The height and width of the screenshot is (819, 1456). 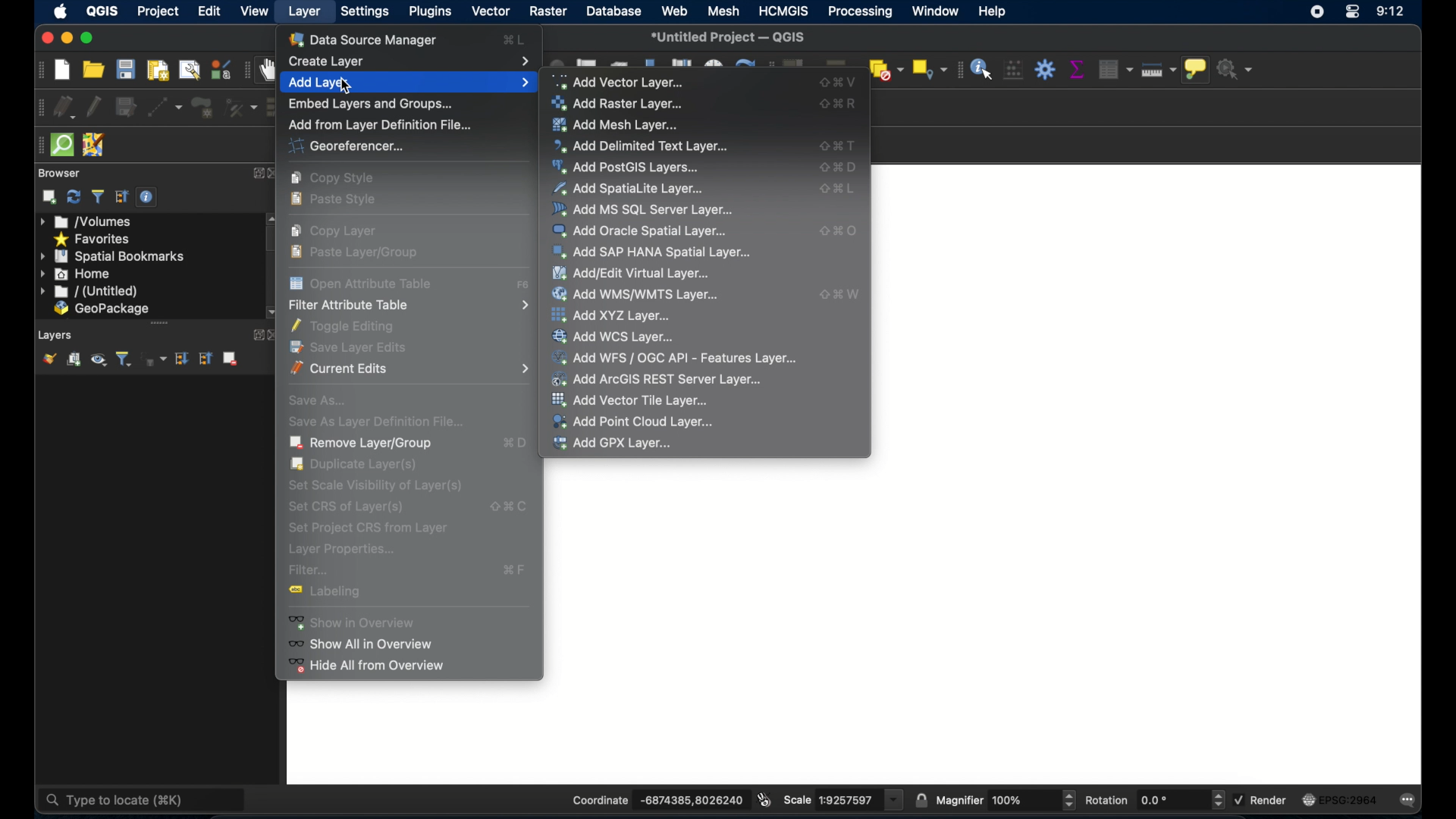 What do you see at coordinates (707, 208) in the screenshot?
I see `Add MS SQL Server Layer...` at bounding box center [707, 208].